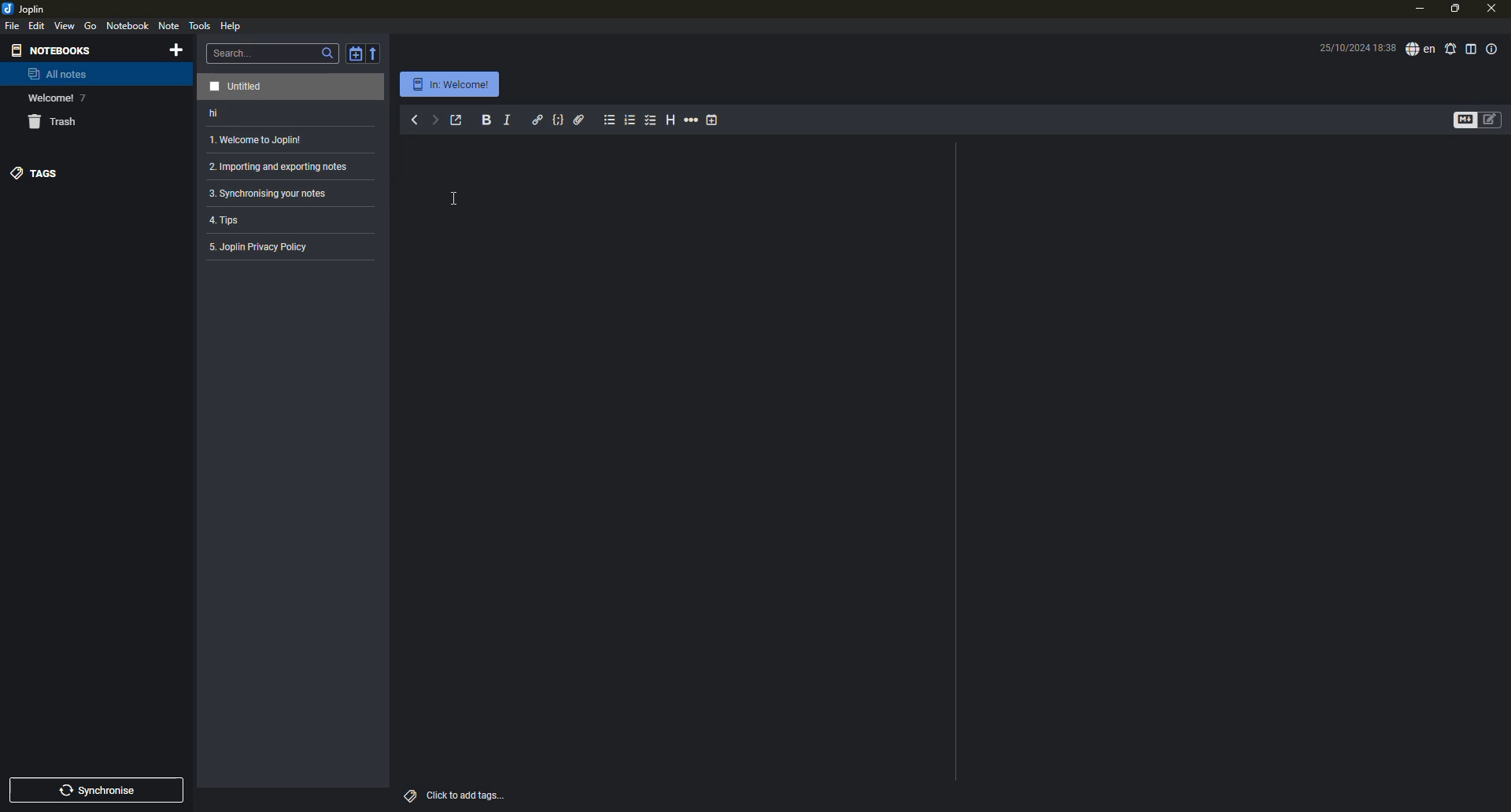  What do you see at coordinates (508, 120) in the screenshot?
I see `italic` at bounding box center [508, 120].